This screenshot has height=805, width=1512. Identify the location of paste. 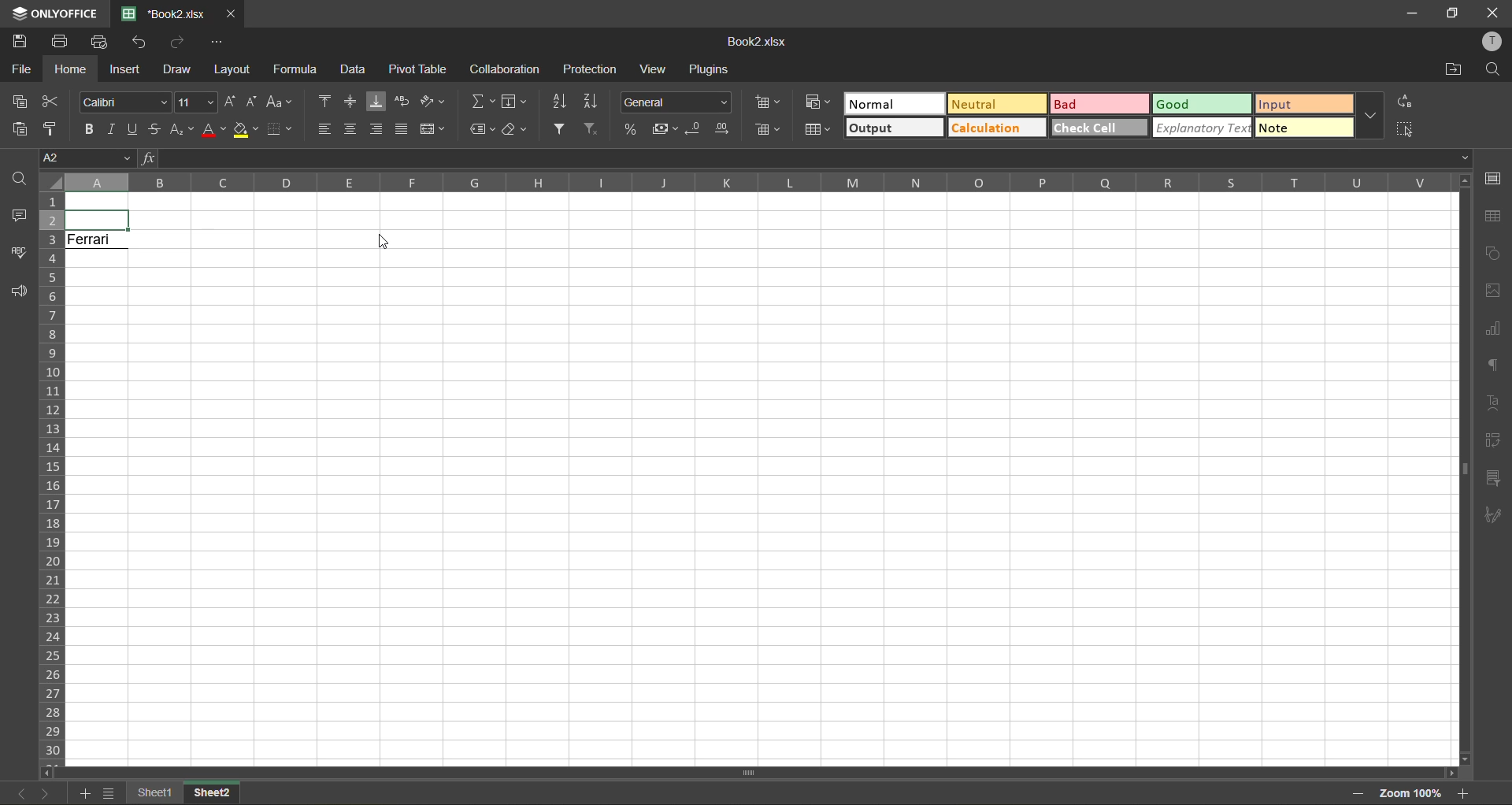
(20, 130).